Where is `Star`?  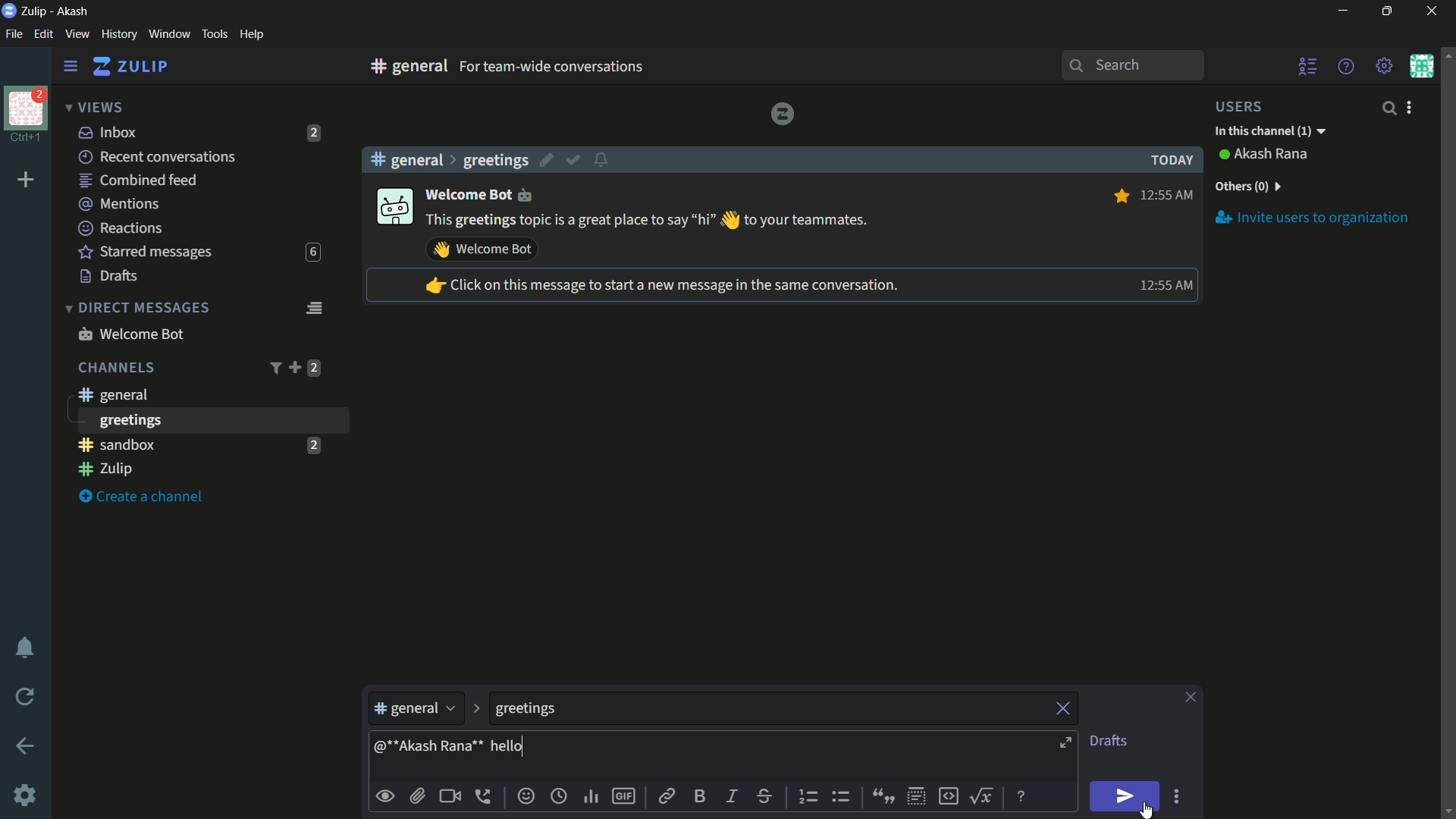
Star is located at coordinates (1119, 196).